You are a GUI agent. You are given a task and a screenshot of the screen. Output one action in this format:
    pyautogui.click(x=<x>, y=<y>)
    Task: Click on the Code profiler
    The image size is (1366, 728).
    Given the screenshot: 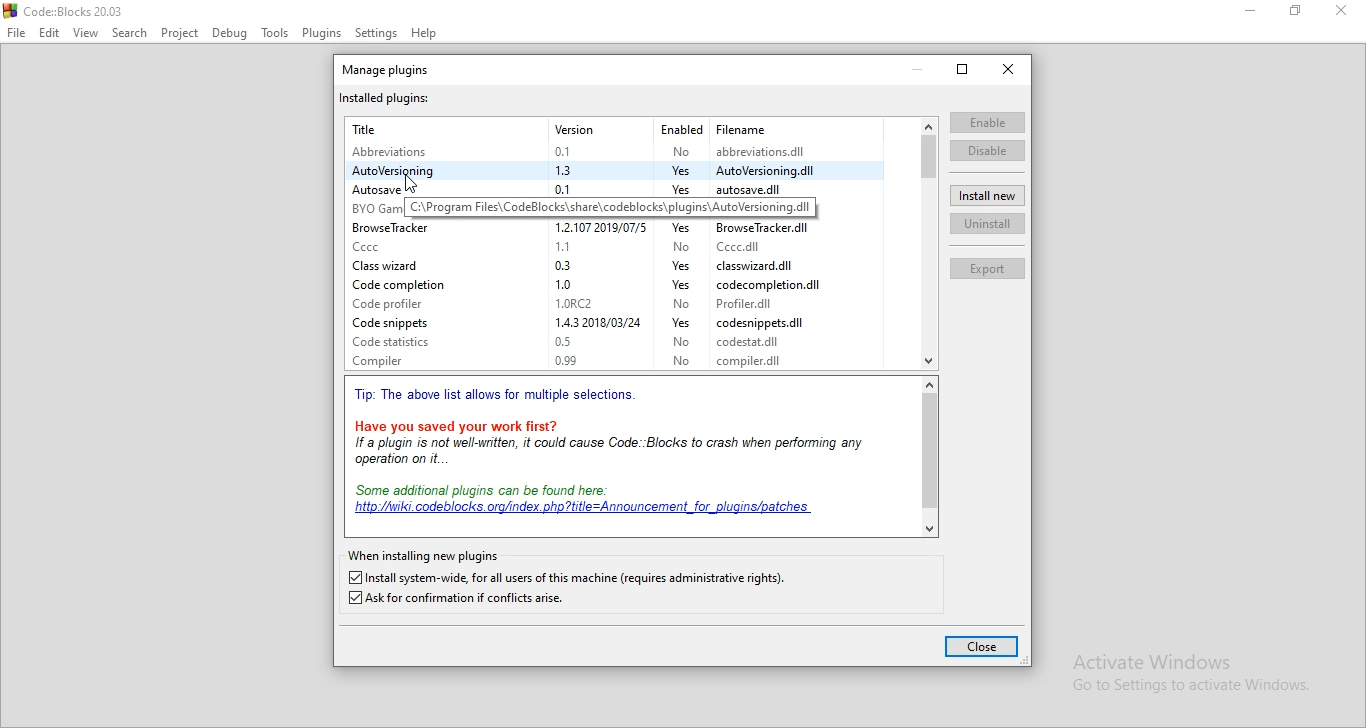 What is the action you would take?
    pyautogui.click(x=404, y=303)
    